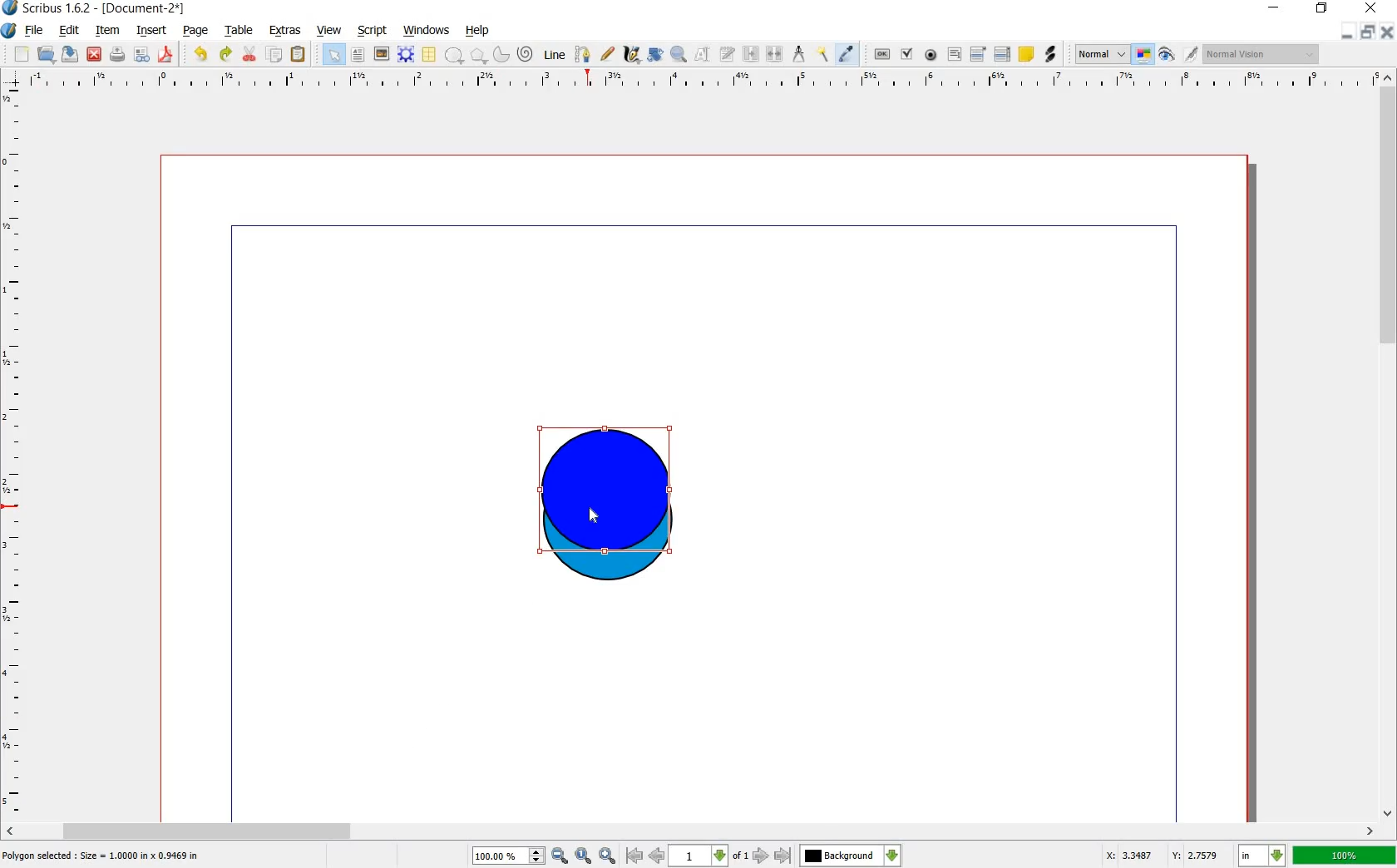 This screenshot has height=868, width=1397. I want to click on ruler, so click(701, 84).